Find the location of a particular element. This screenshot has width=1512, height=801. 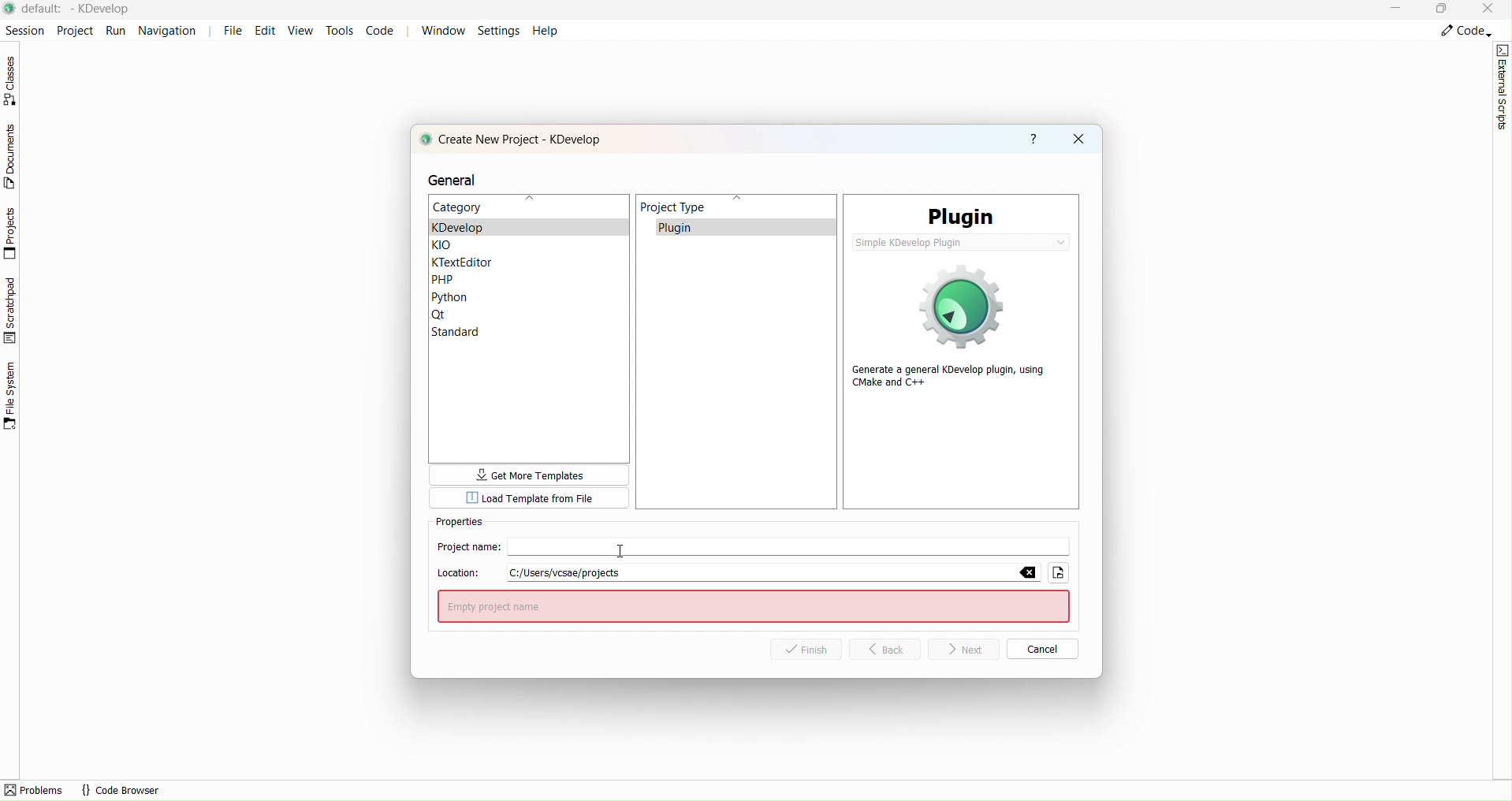

Code is located at coordinates (382, 31).